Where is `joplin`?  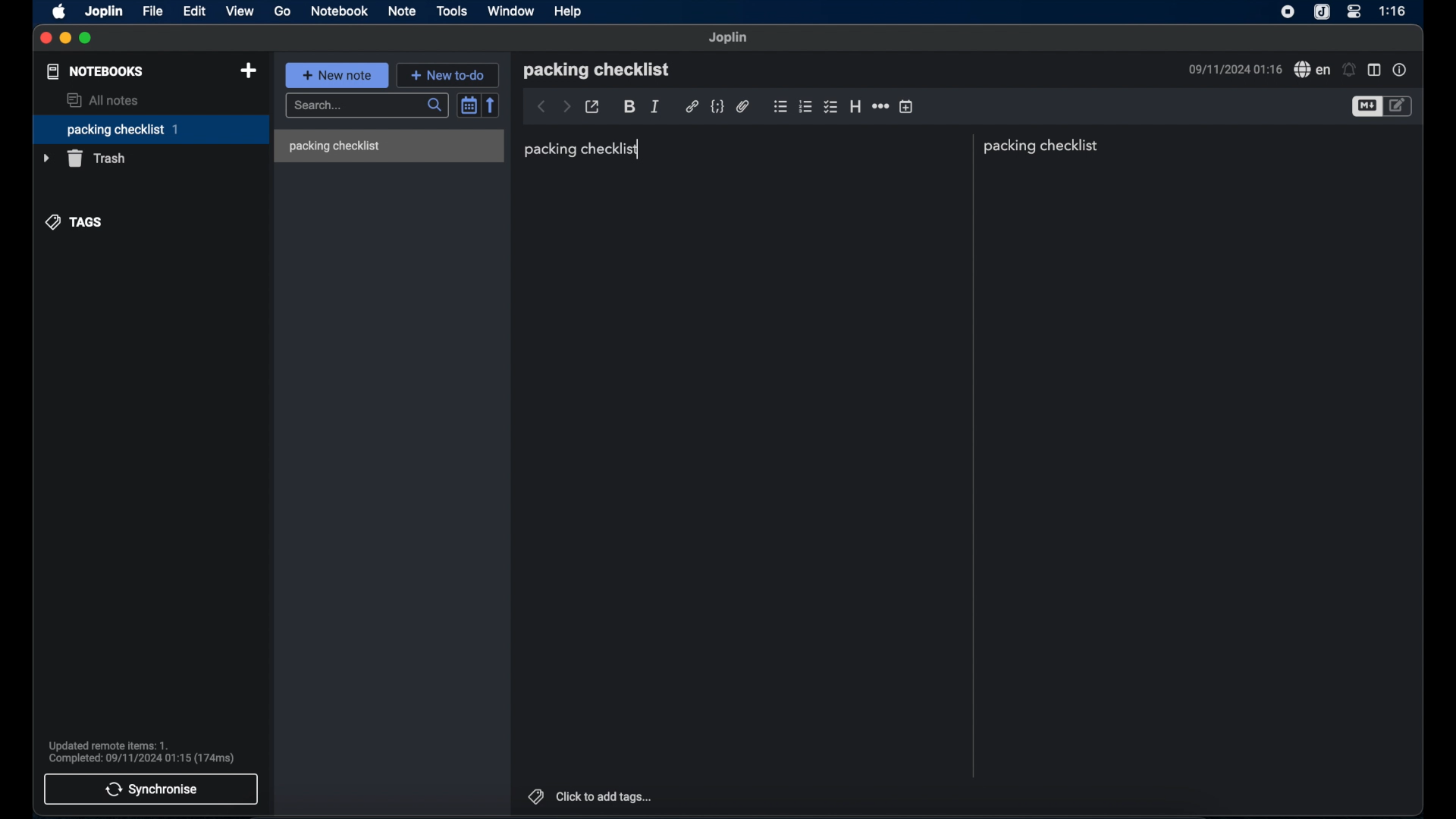 joplin is located at coordinates (105, 12).